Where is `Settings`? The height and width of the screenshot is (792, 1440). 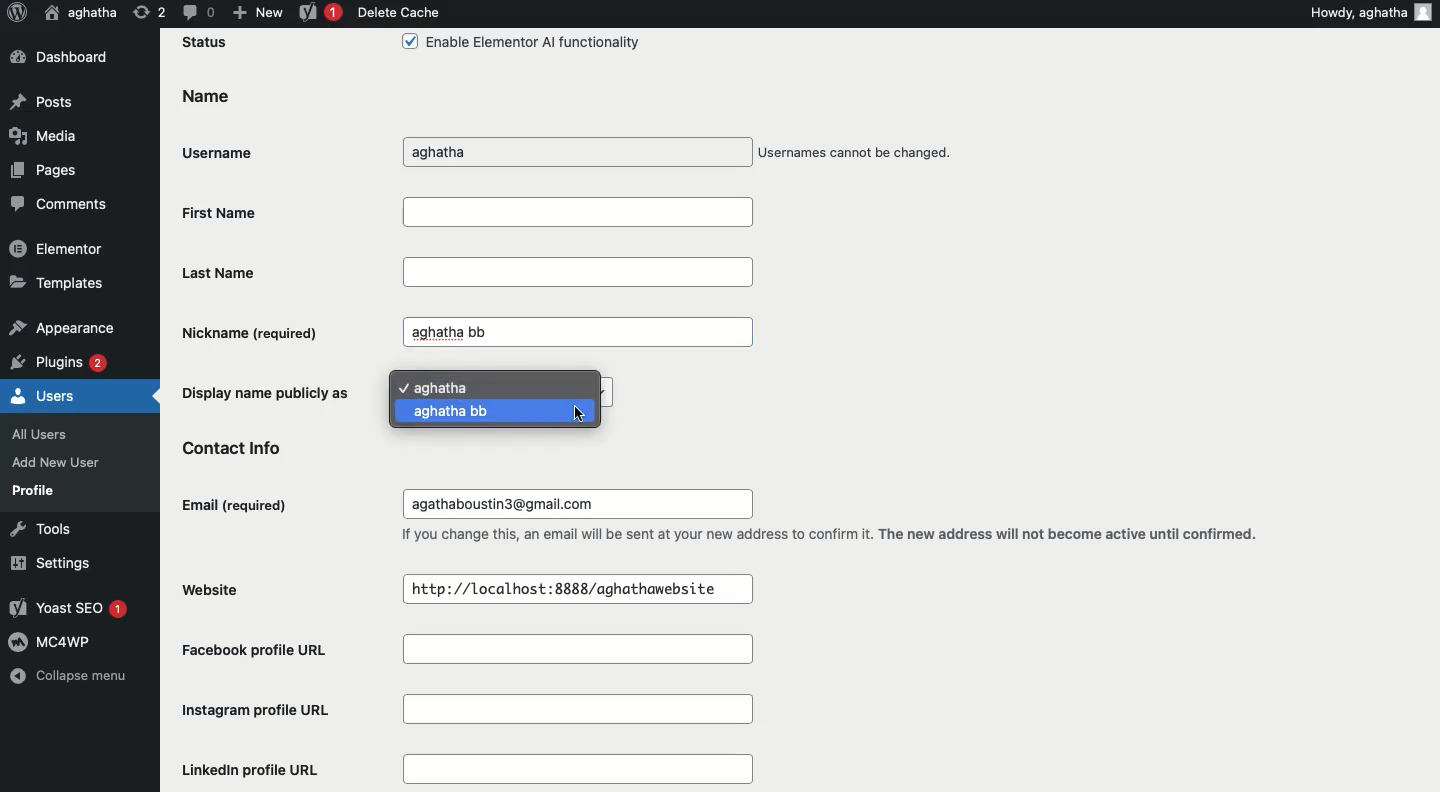
Settings is located at coordinates (47, 563).